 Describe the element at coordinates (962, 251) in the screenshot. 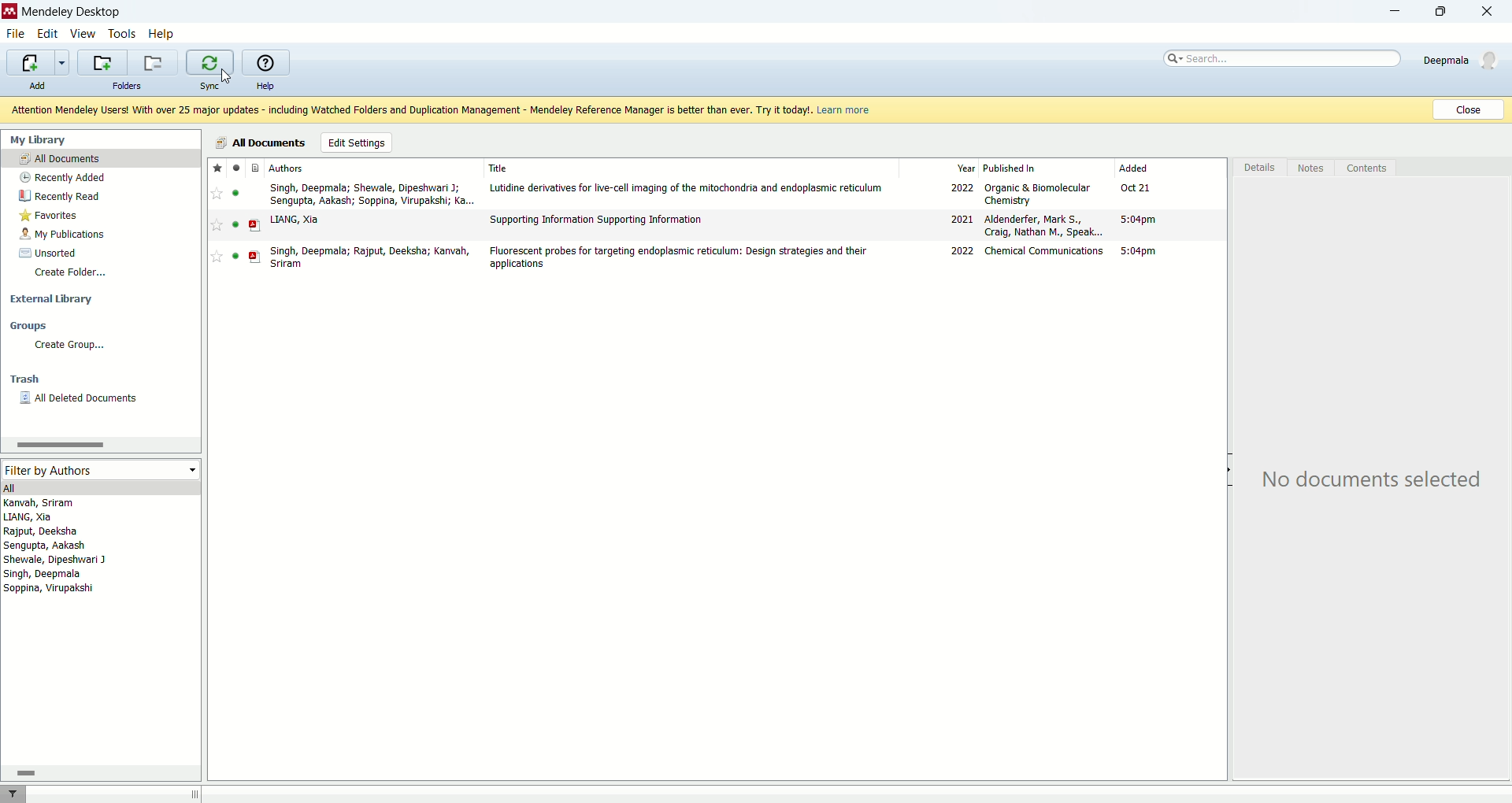

I see `2022` at that location.